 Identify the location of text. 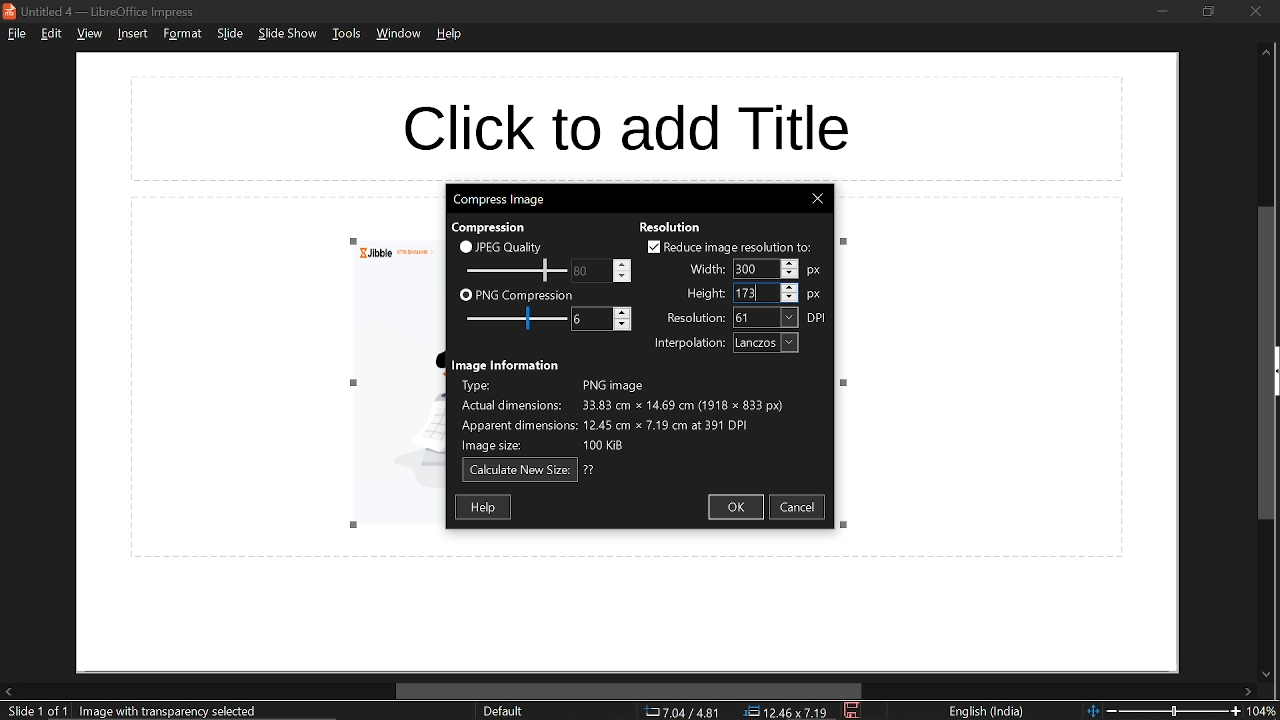
(590, 470).